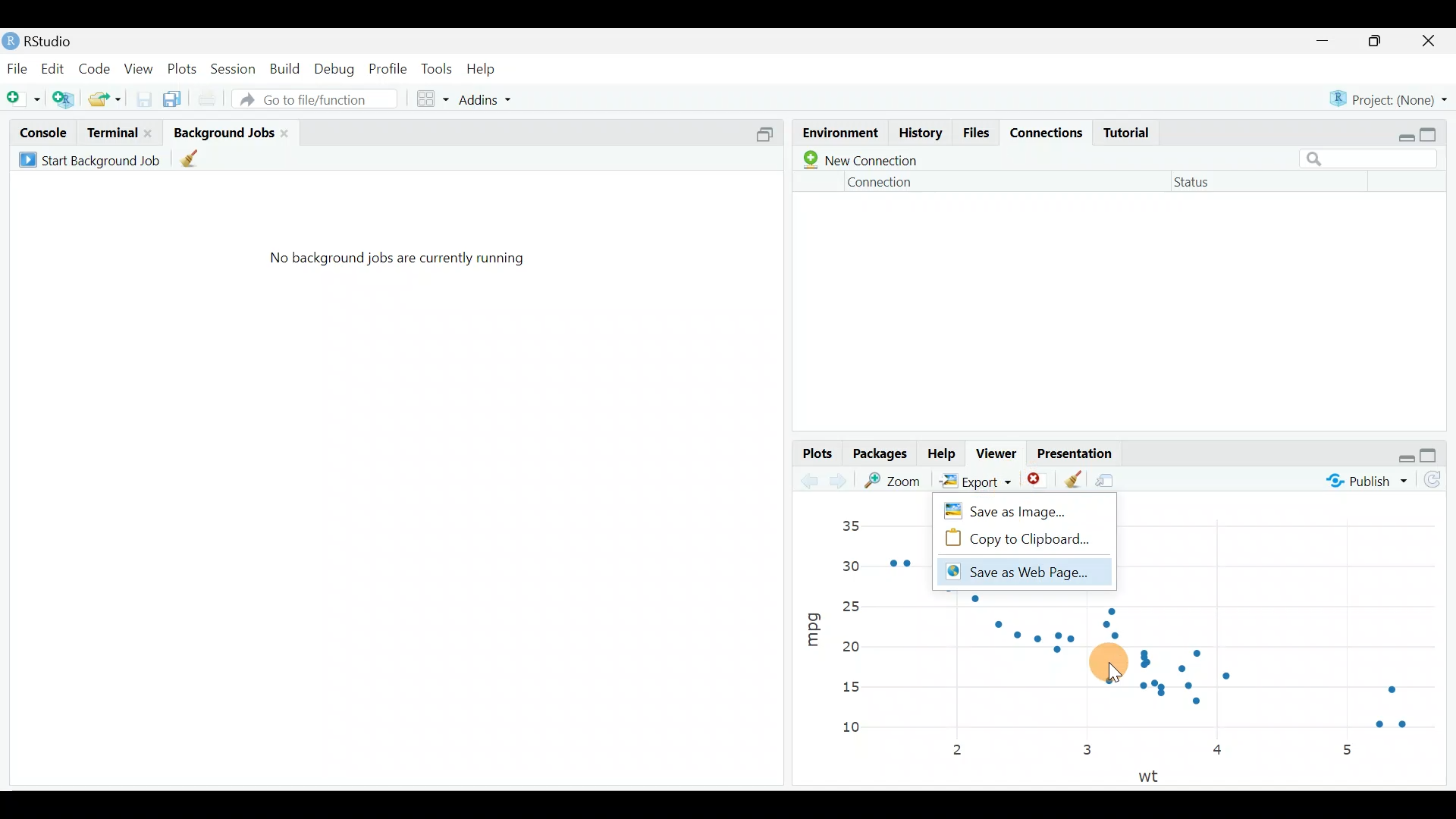 This screenshot has height=819, width=1456. What do you see at coordinates (856, 604) in the screenshot?
I see `25` at bounding box center [856, 604].